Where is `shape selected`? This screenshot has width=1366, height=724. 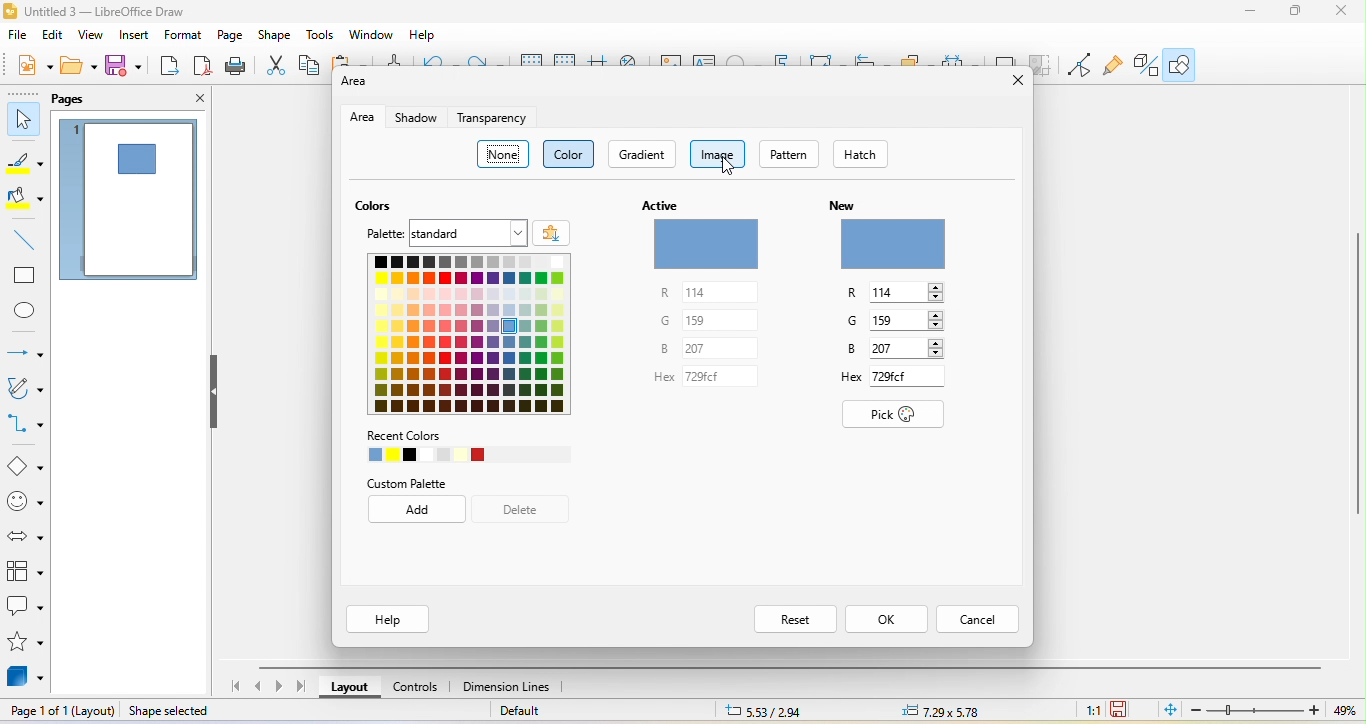 shape selected is located at coordinates (173, 712).